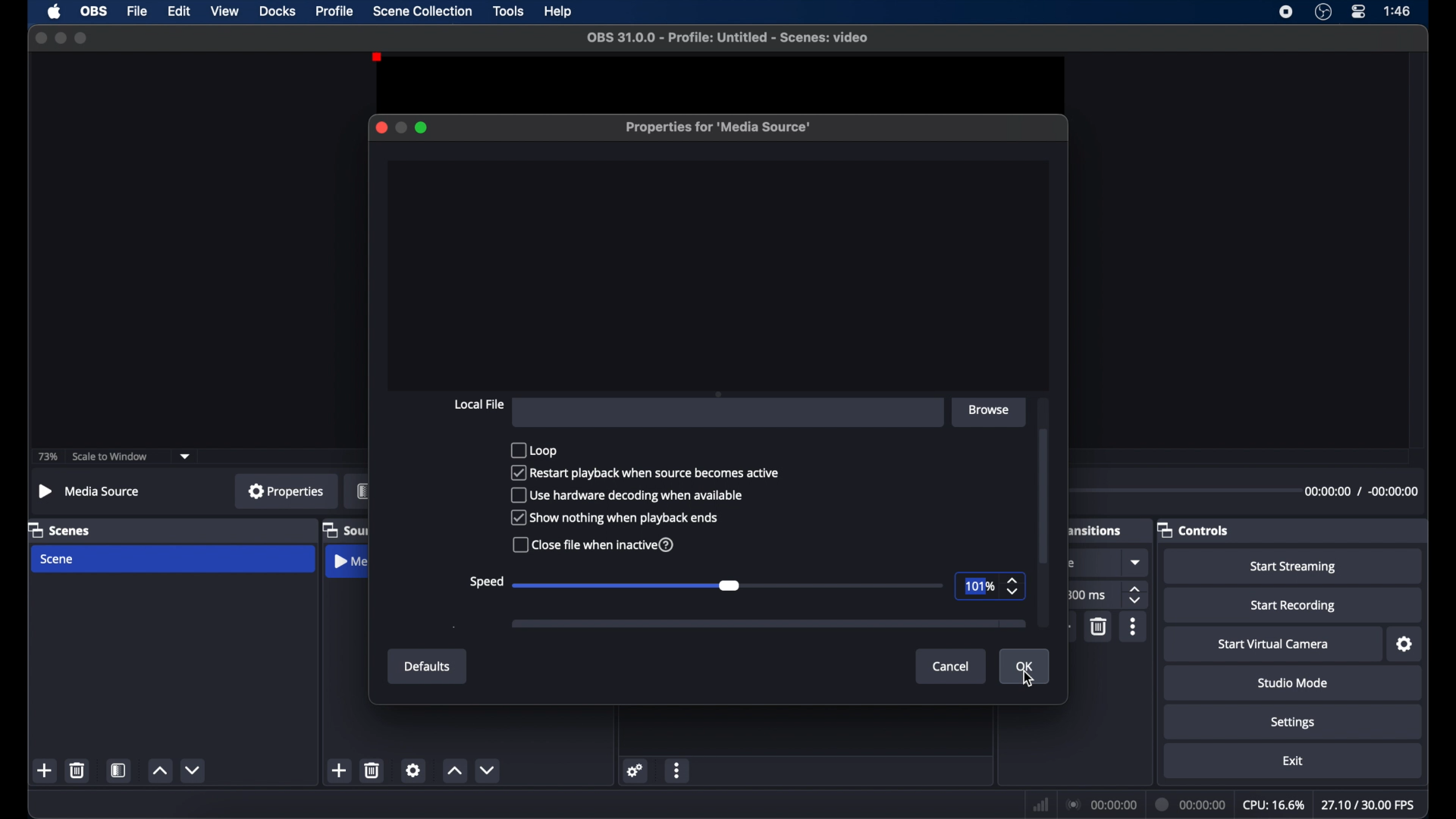  What do you see at coordinates (1295, 606) in the screenshot?
I see `start recording` at bounding box center [1295, 606].